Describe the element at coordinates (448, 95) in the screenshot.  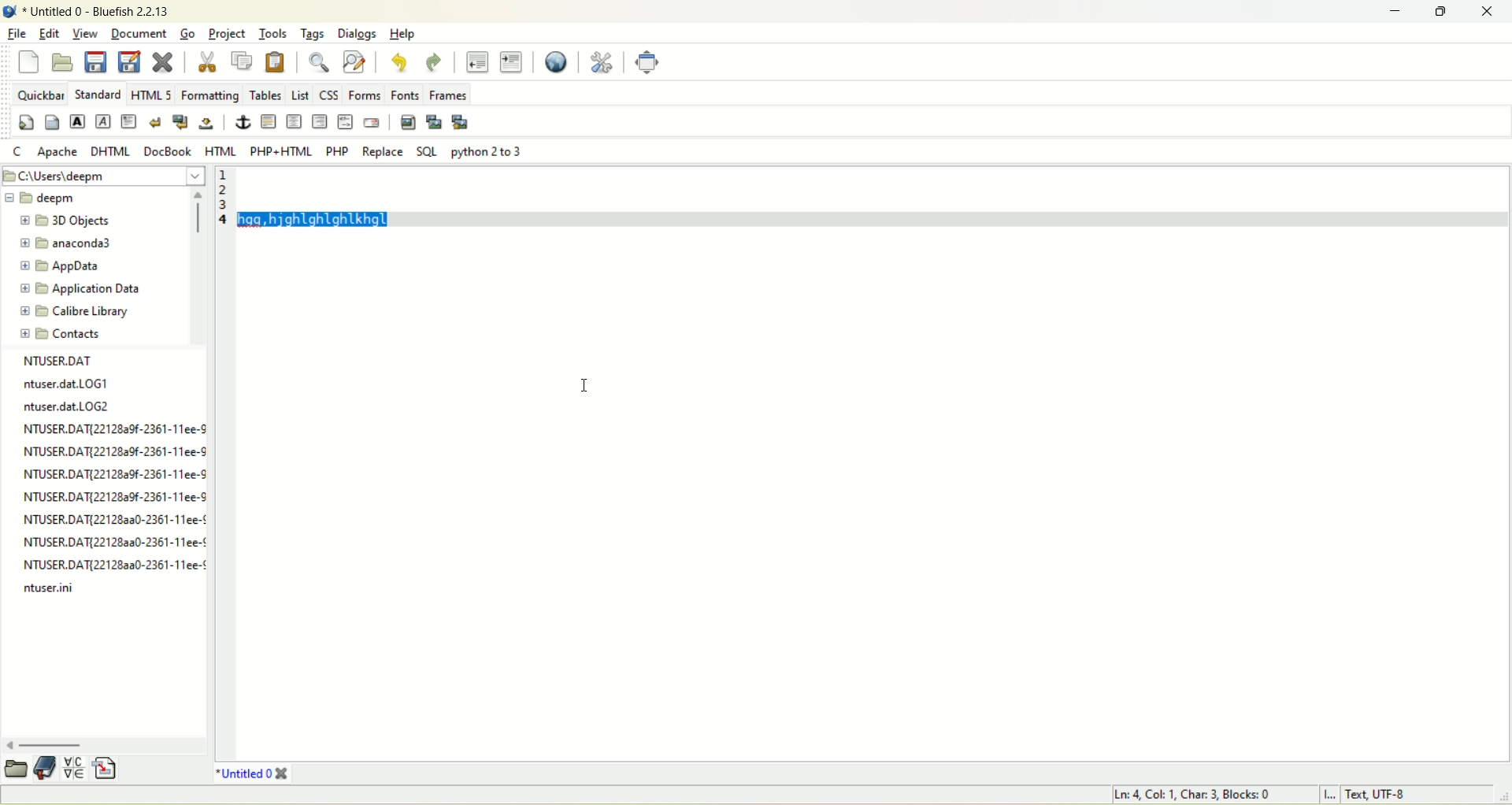
I see `frames` at that location.